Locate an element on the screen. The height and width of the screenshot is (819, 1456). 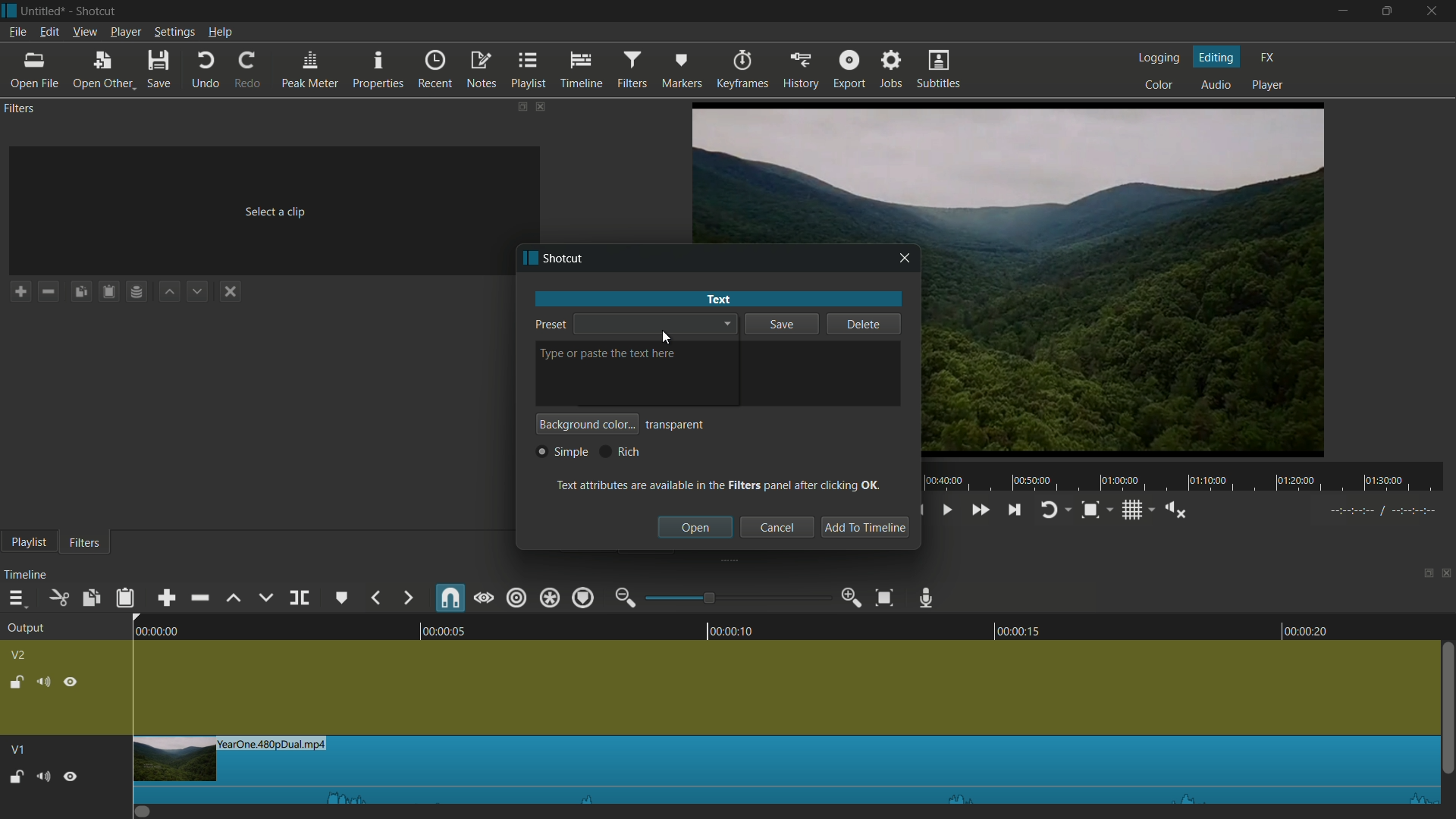
player menu is located at coordinates (126, 32).